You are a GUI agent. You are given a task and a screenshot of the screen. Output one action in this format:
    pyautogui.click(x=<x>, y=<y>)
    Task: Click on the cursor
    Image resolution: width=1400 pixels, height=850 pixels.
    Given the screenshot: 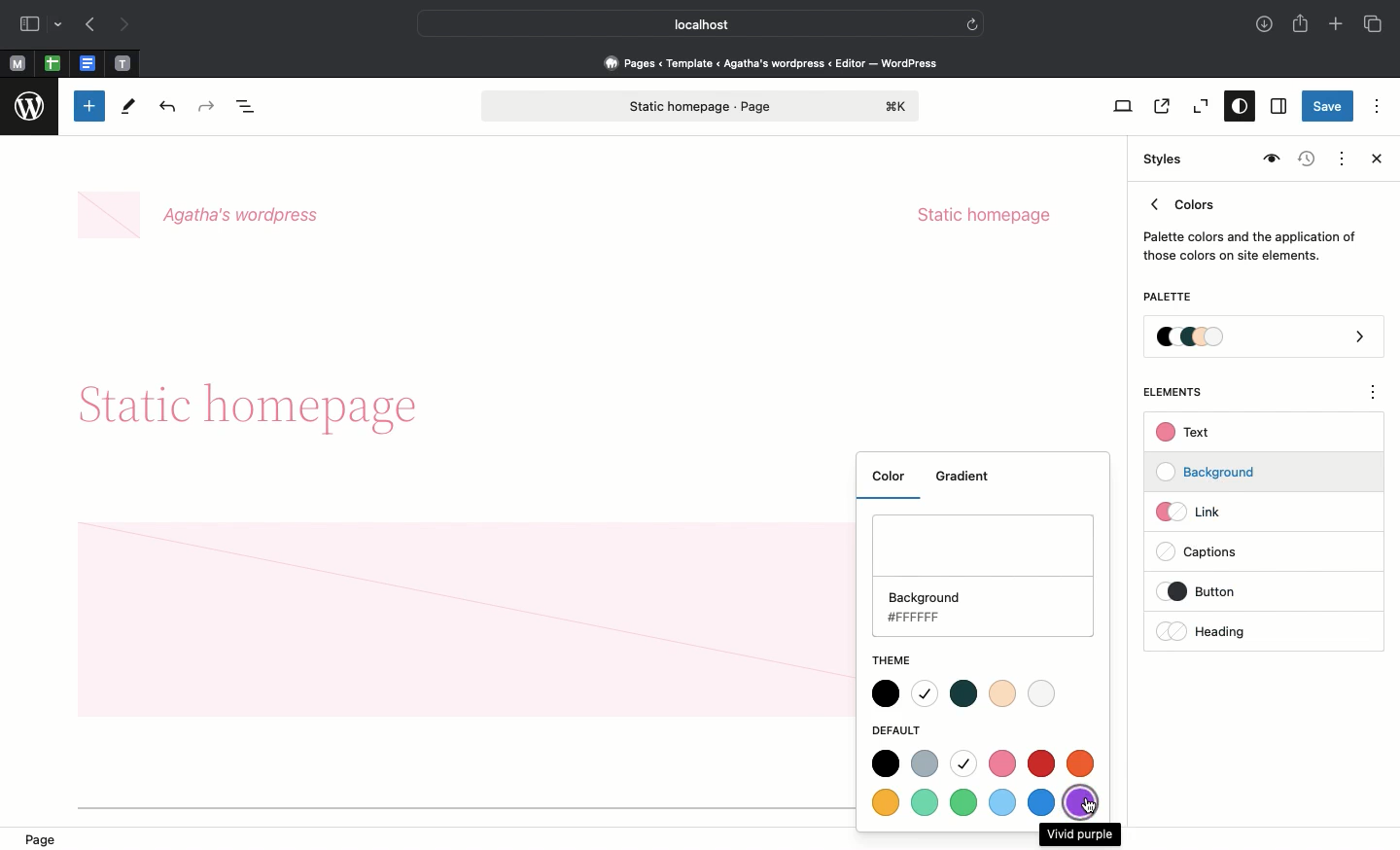 What is the action you would take?
    pyautogui.click(x=1089, y=807)
    